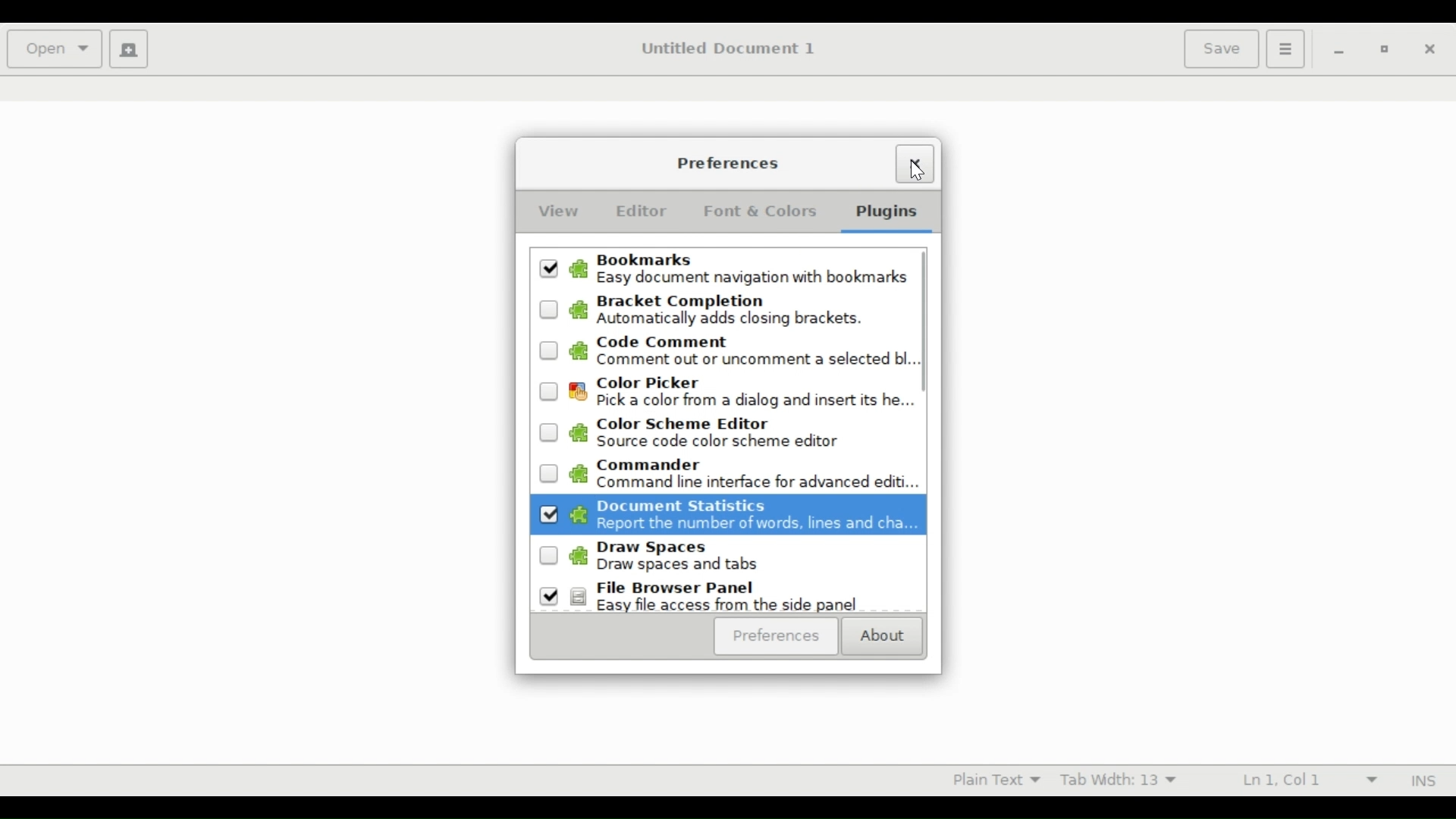 The height and width of the screenshot is (819, 1456). I want to click on (un)select Commander. Command line interface for advanced edits, so click(742, 475).